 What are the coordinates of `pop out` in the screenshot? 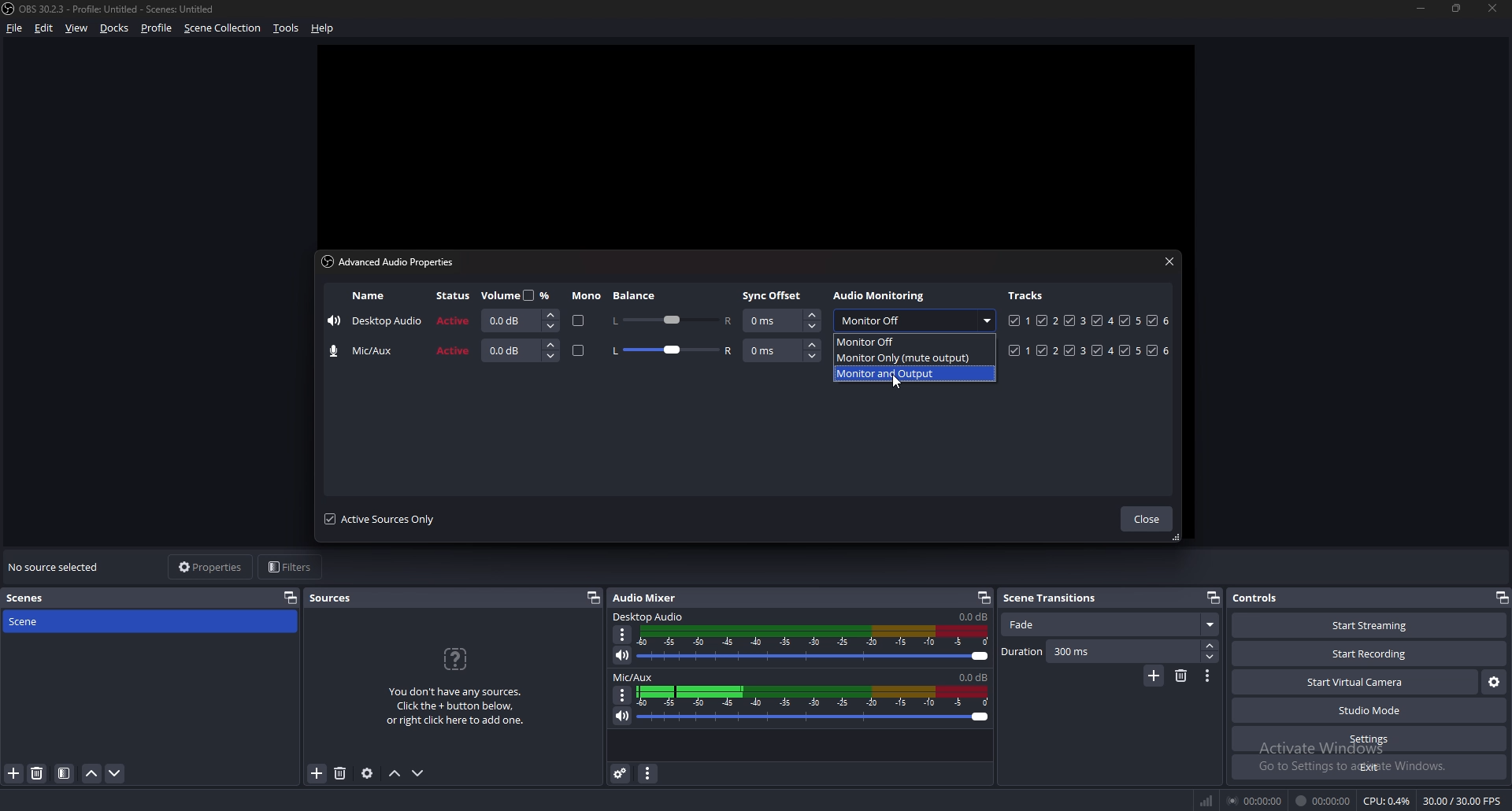 It's located at (984, 597).